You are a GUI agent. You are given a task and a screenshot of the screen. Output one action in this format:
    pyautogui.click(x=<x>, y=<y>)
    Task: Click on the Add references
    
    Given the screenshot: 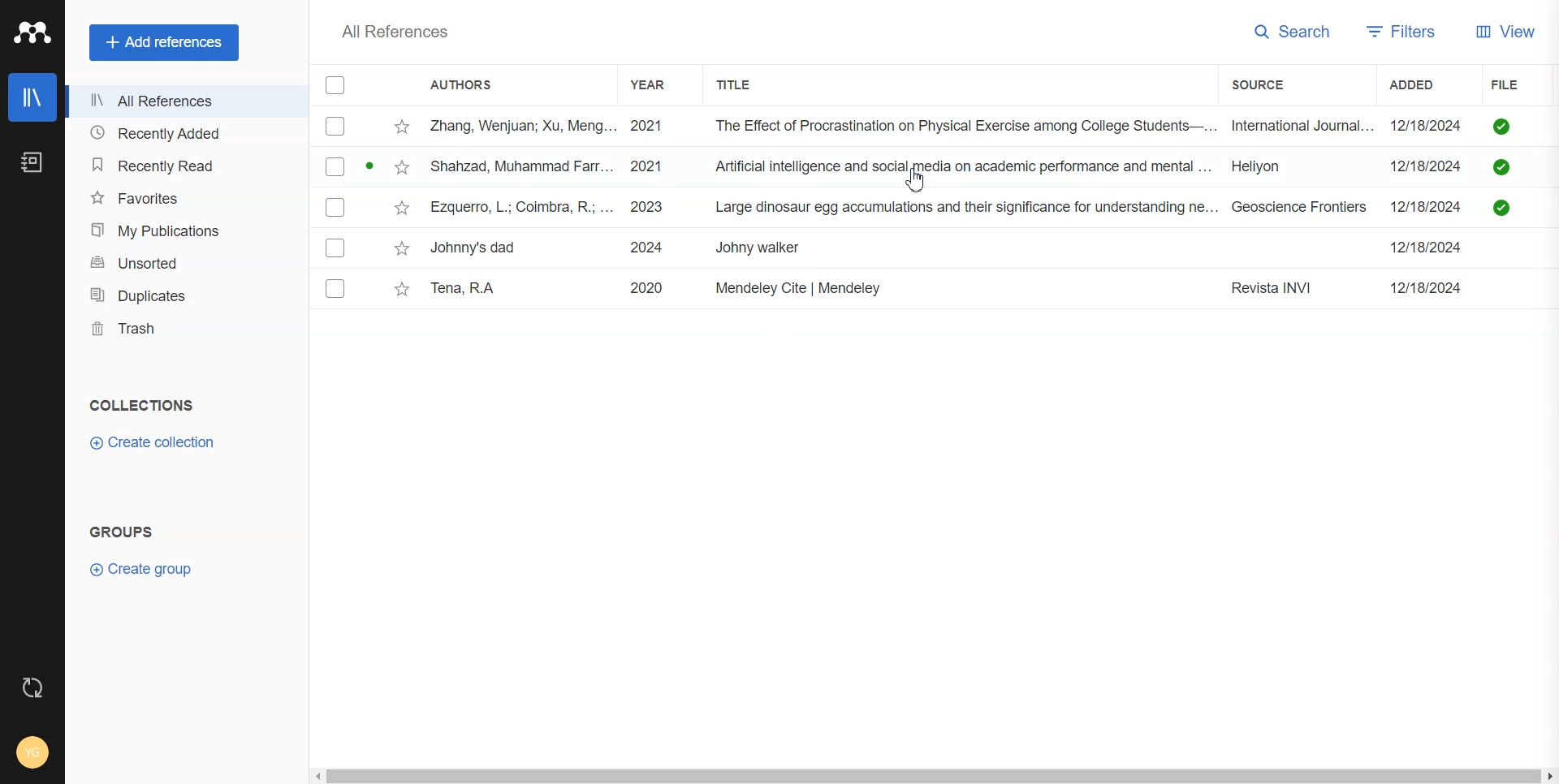 What is the action you would take?
    pyautogui.click(x=164, y=41)
    